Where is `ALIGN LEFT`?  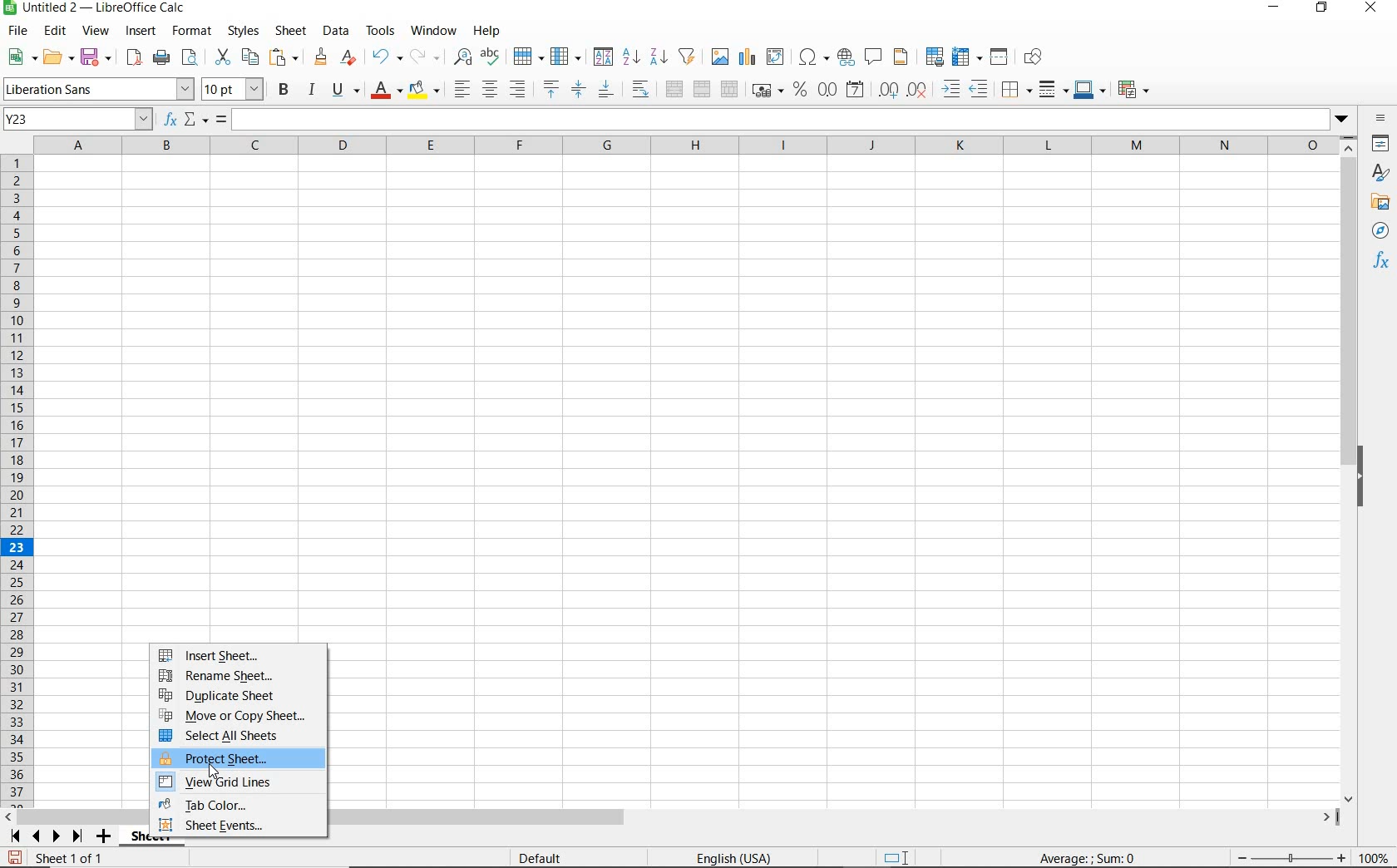 ALIGN LEFT is located at coordinates (462, 89).